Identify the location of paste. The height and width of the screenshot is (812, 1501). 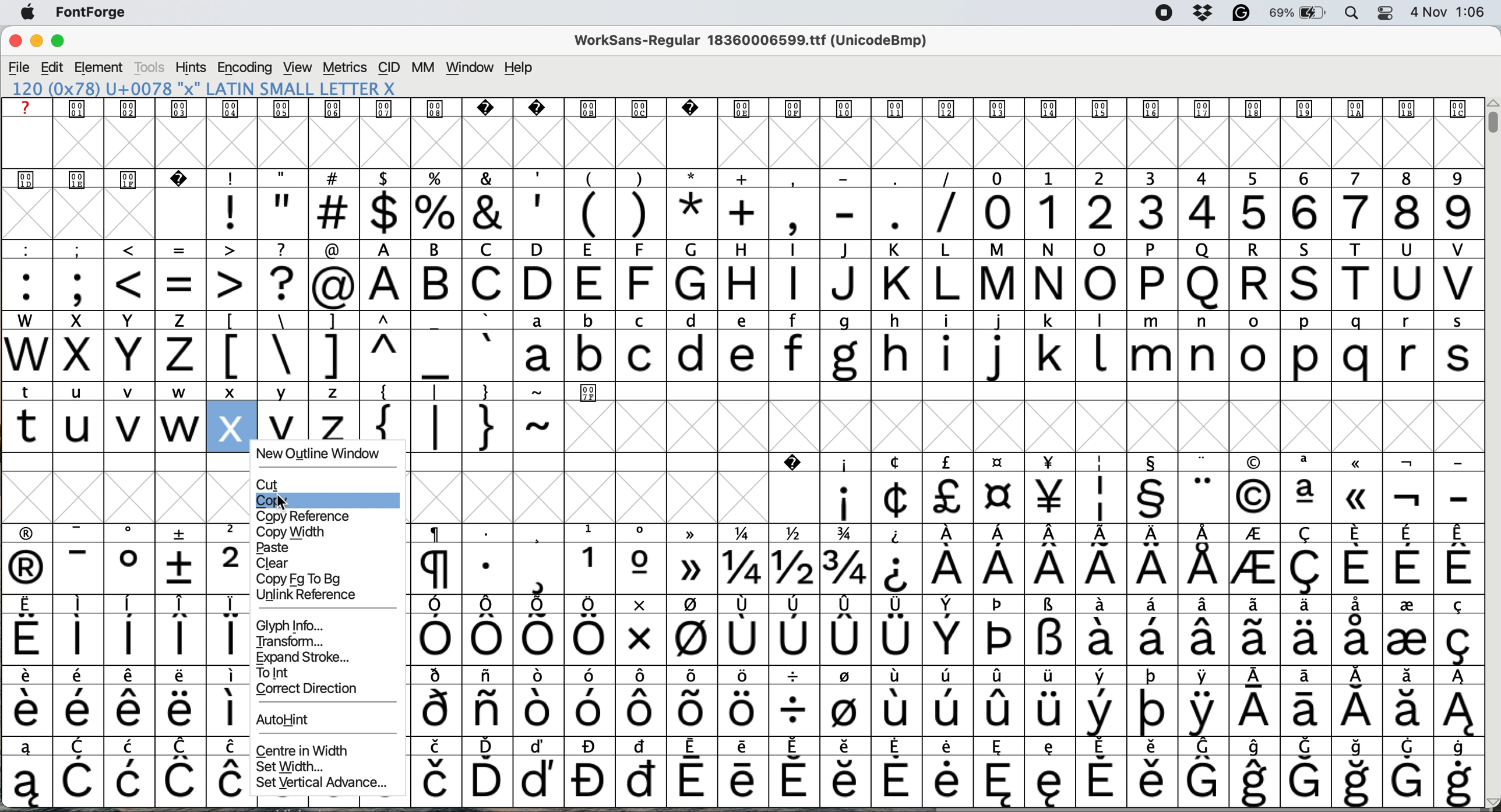
(279, 547).